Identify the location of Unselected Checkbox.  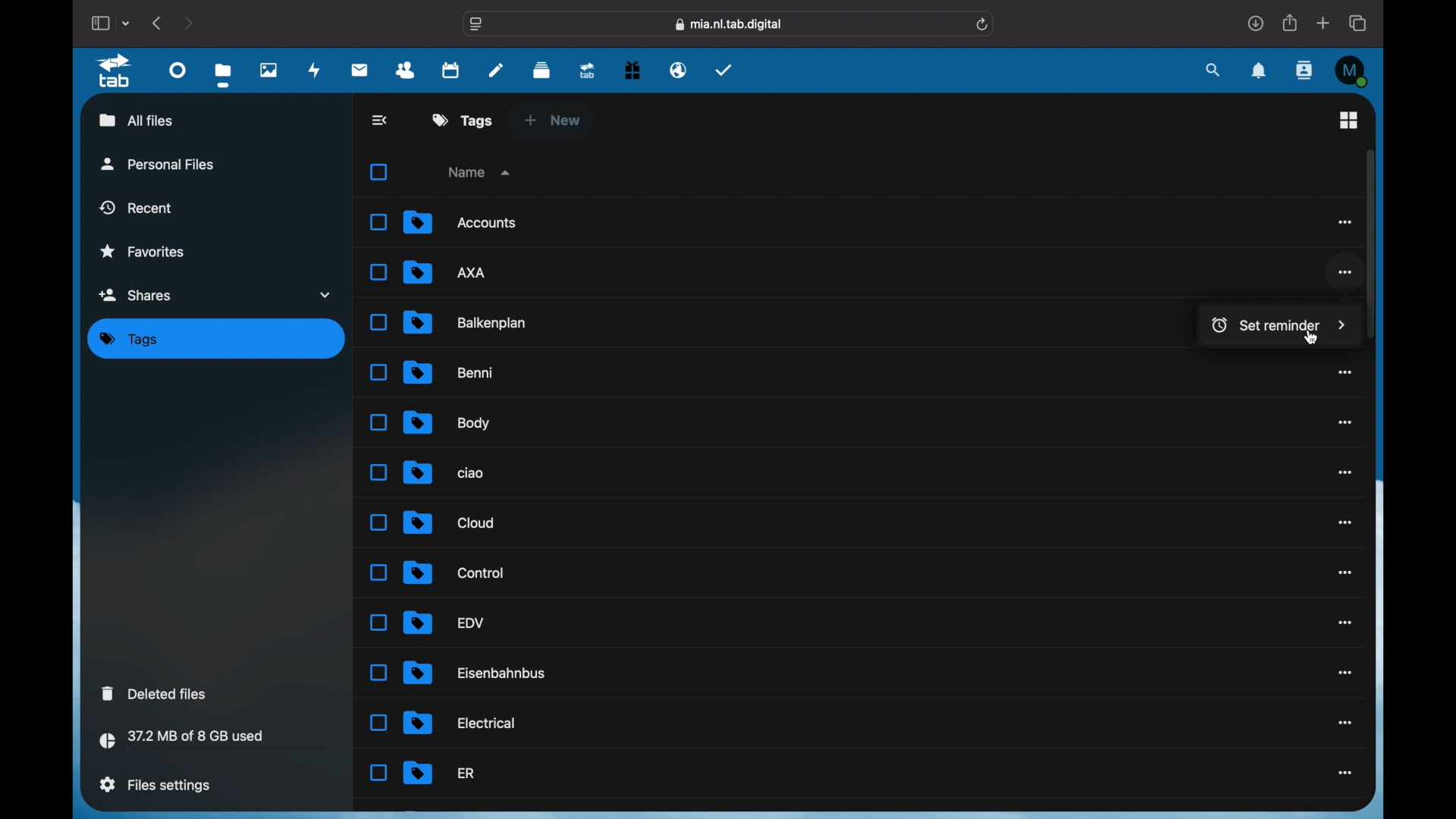
(378, 623).